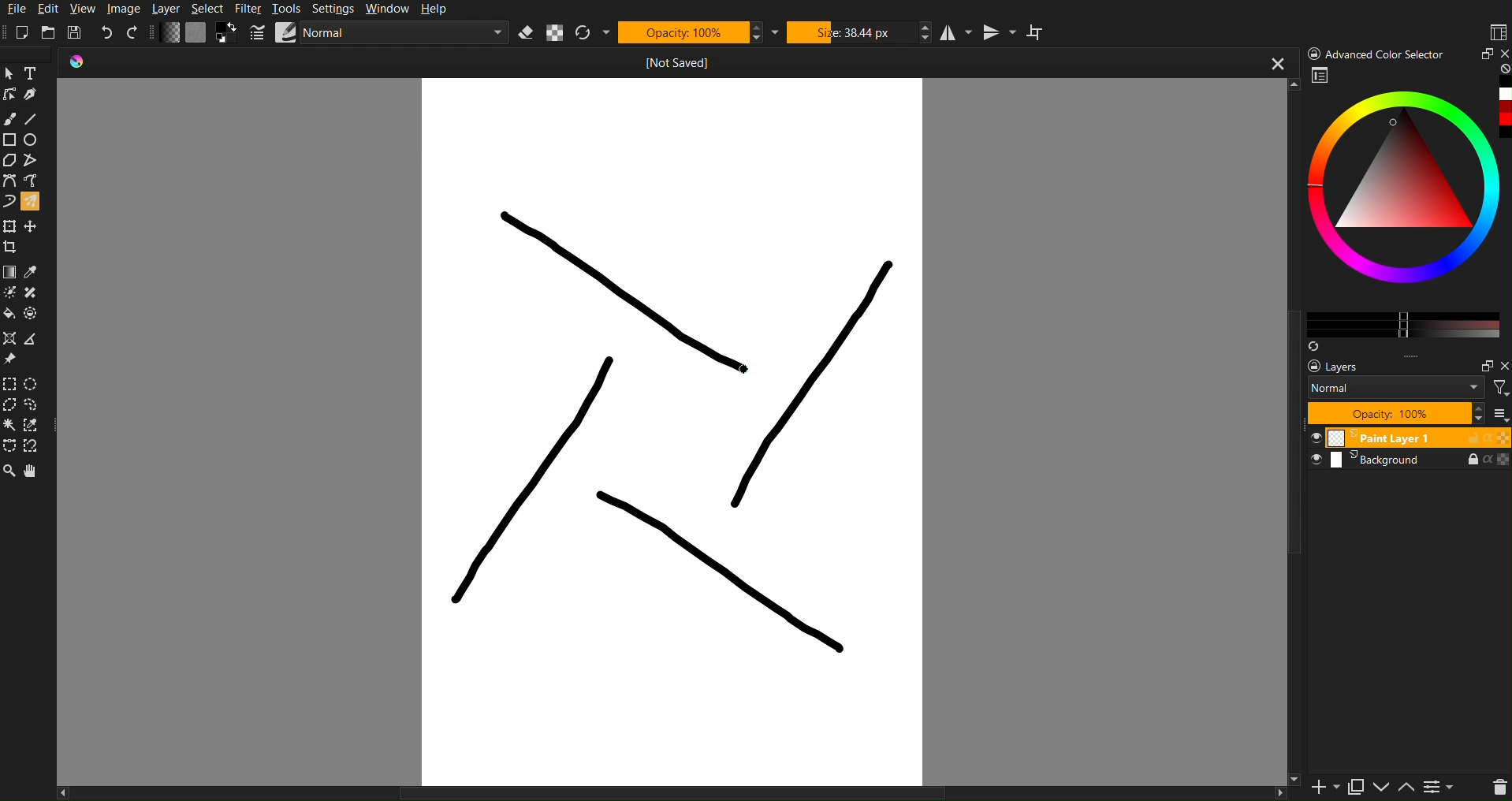 This screenshot has width=1512, height=801. I want to click on FIle, so click(15, 9).